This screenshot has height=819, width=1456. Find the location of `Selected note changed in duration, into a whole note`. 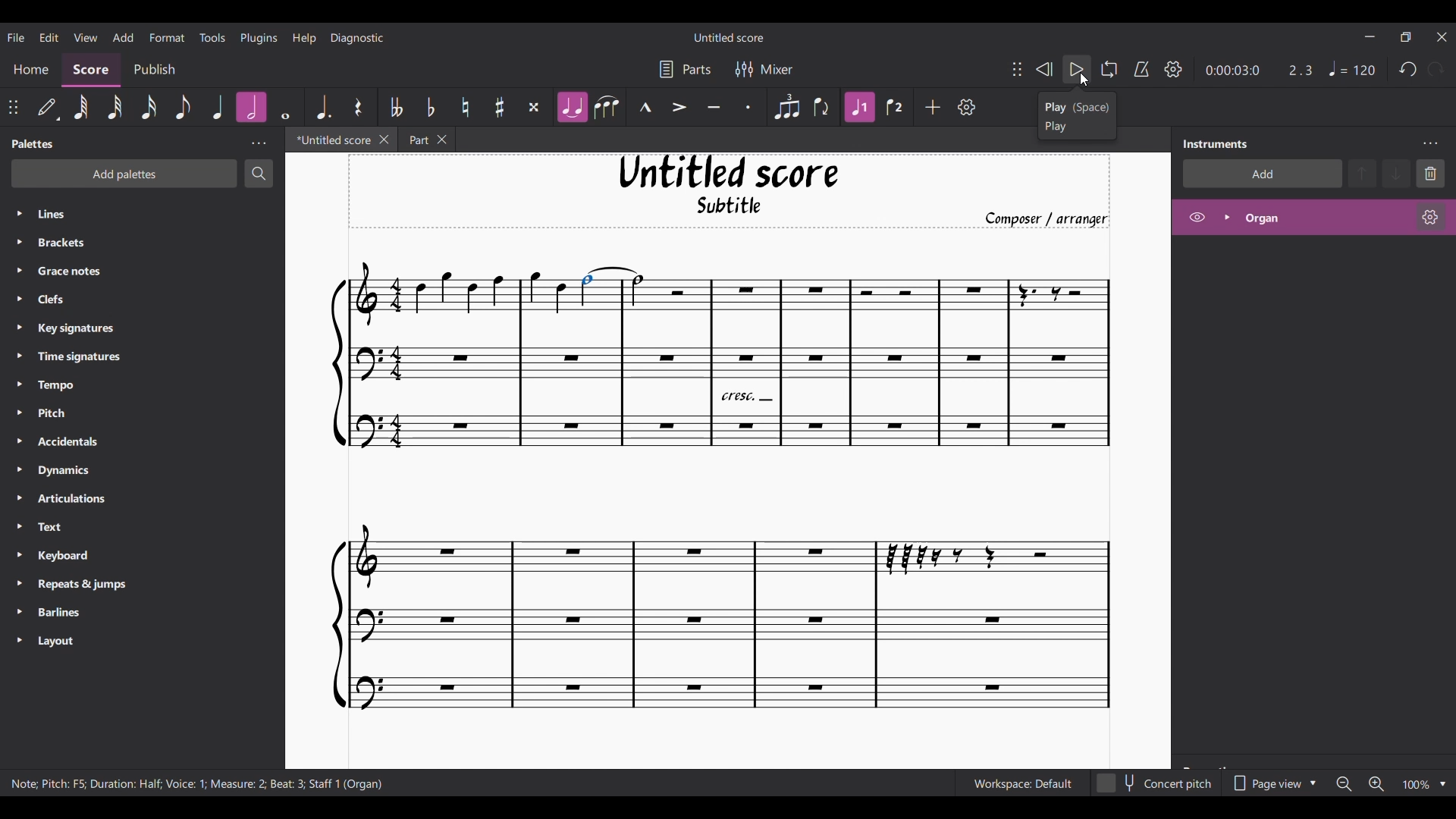

Selected note changed in duration, into a whole note is located at coordinates (611, 287).